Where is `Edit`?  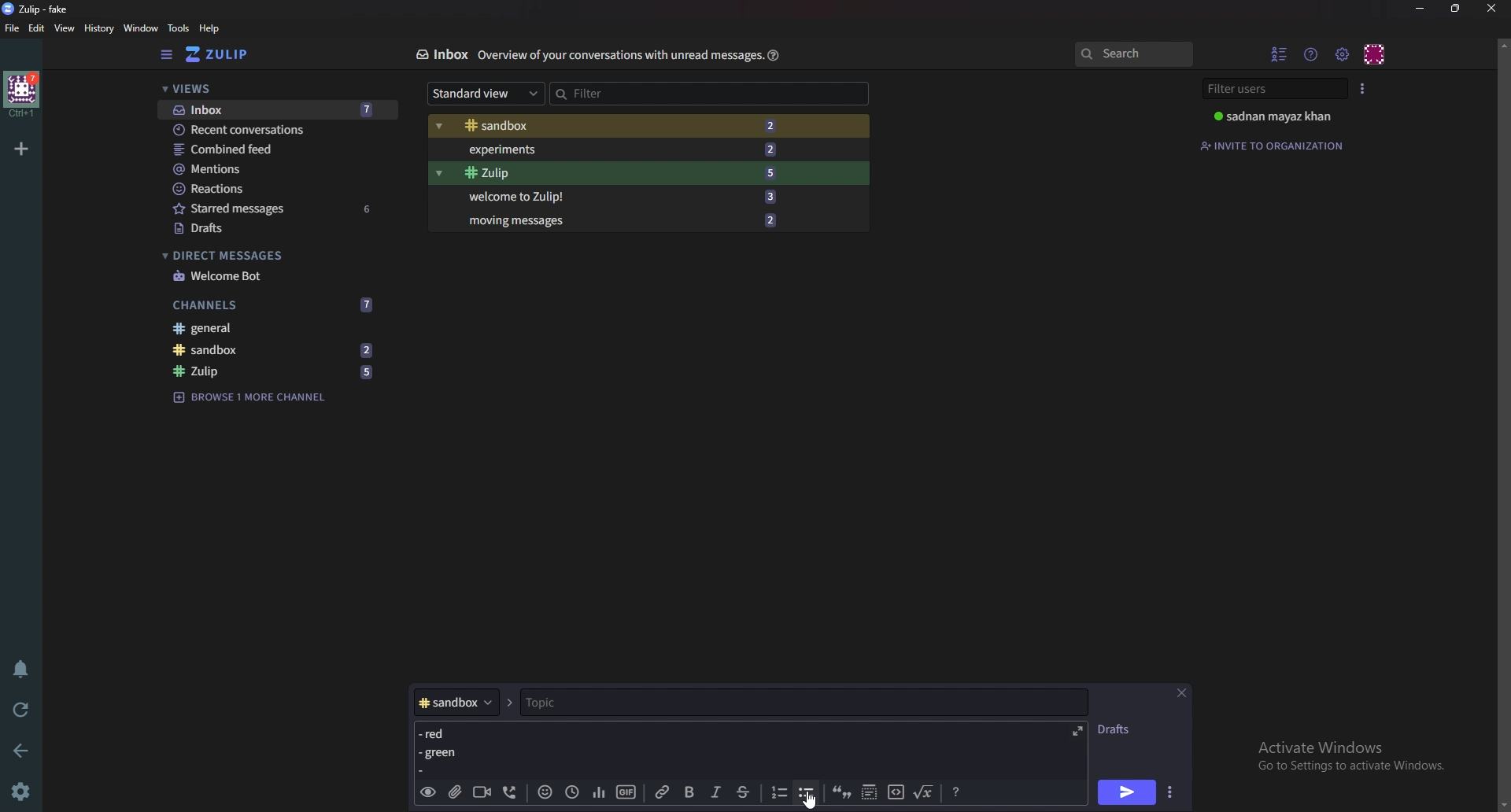
Edit is located at coordinates (37, 28).